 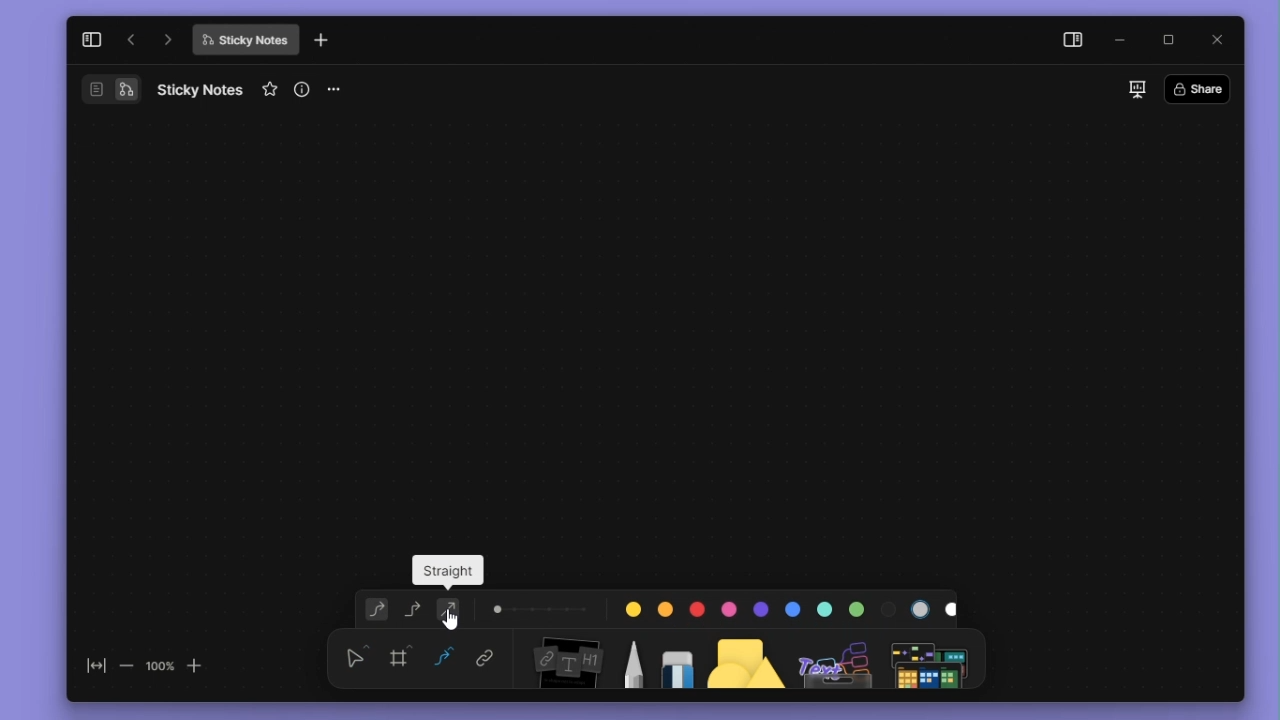 I want to click on pen, so click(x=632, y=657).